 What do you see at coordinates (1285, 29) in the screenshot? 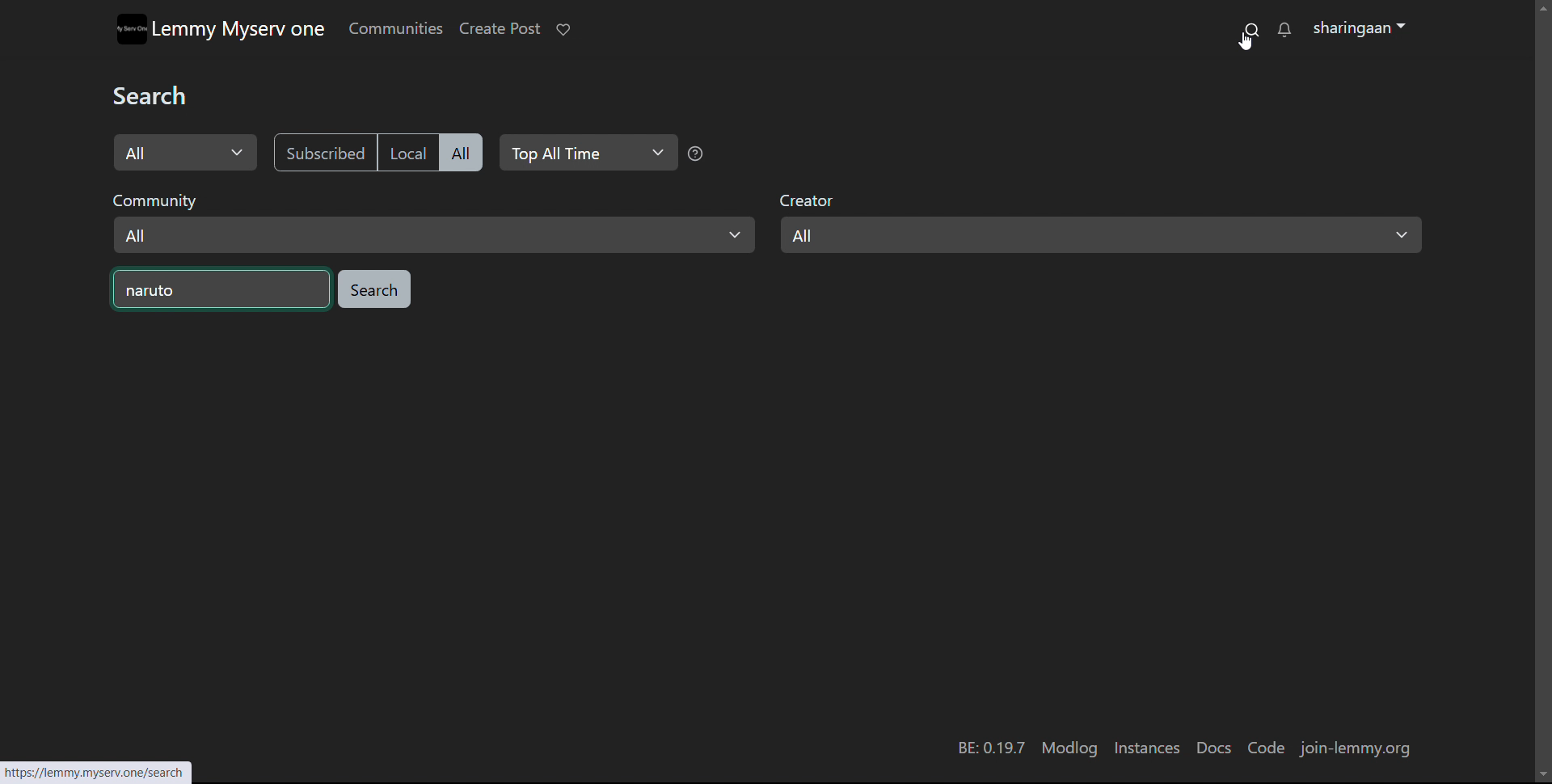
I see `notifications` at bounding box center [1285, 29].